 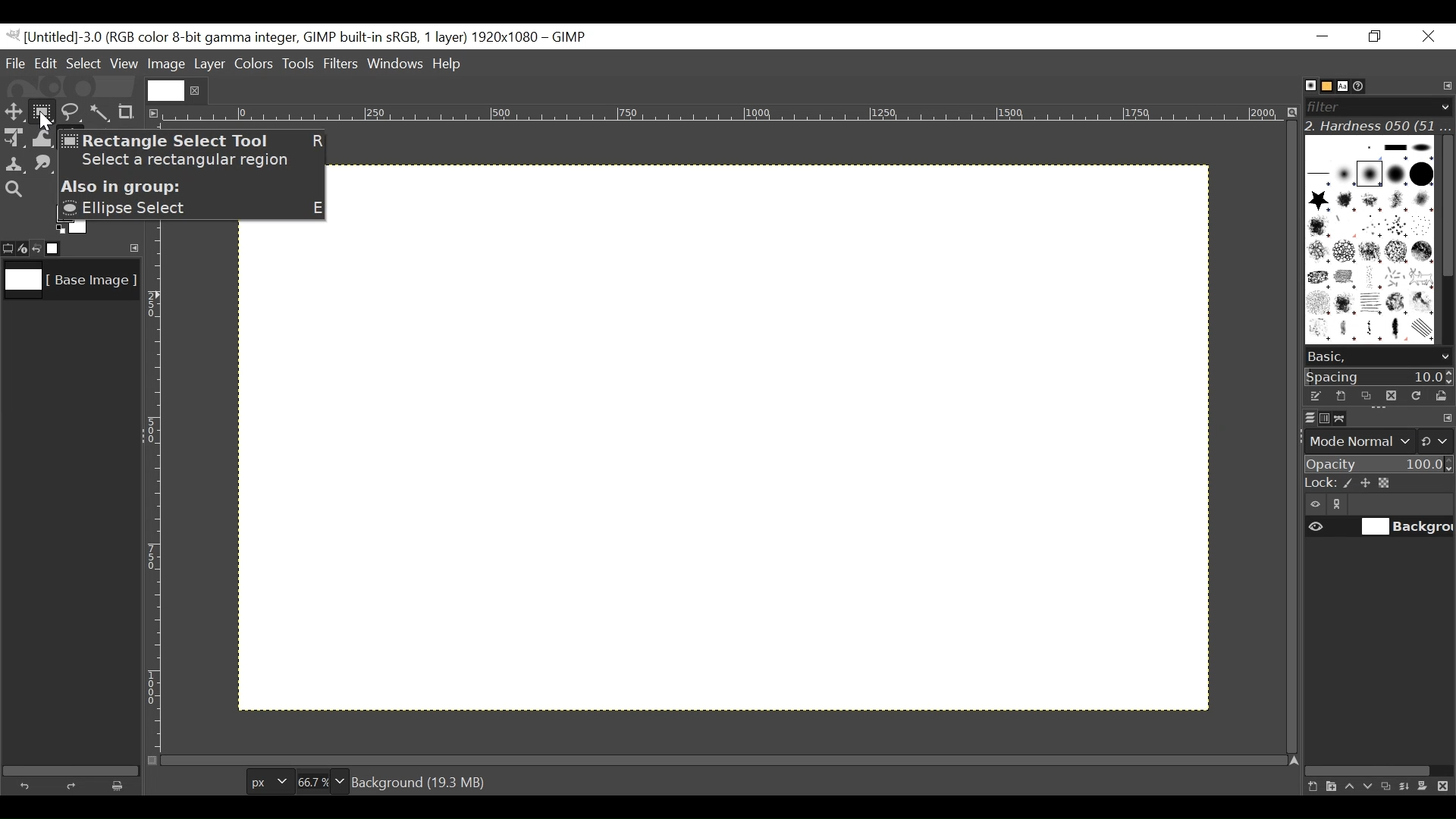 What do you see at coordinates (1414, 394) in the screenshot?
I see `Refresh` at bounding box center [1414, 394].